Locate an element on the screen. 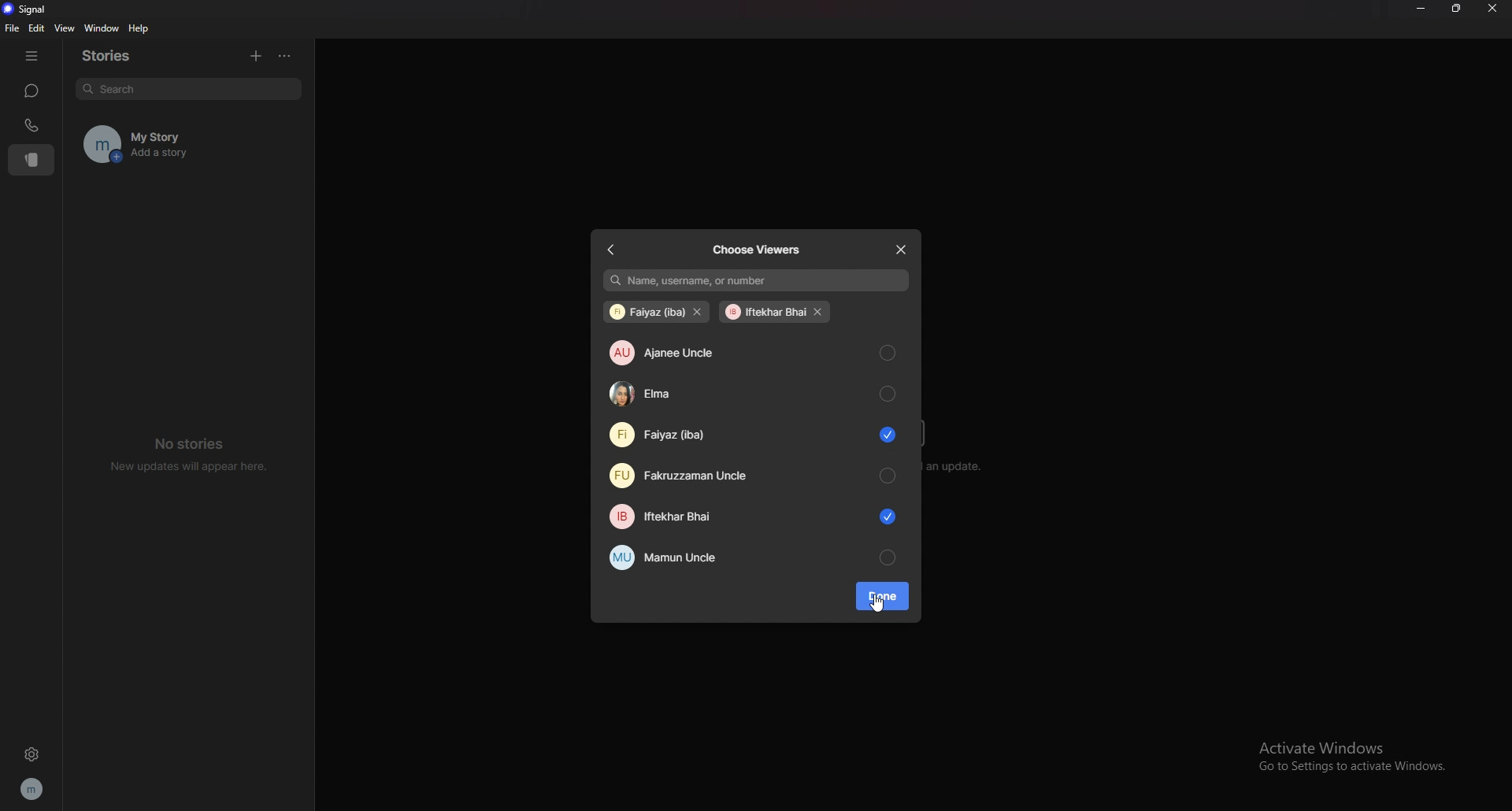 The image size is (1512, 811). profile is located at coordinates (33, 787).